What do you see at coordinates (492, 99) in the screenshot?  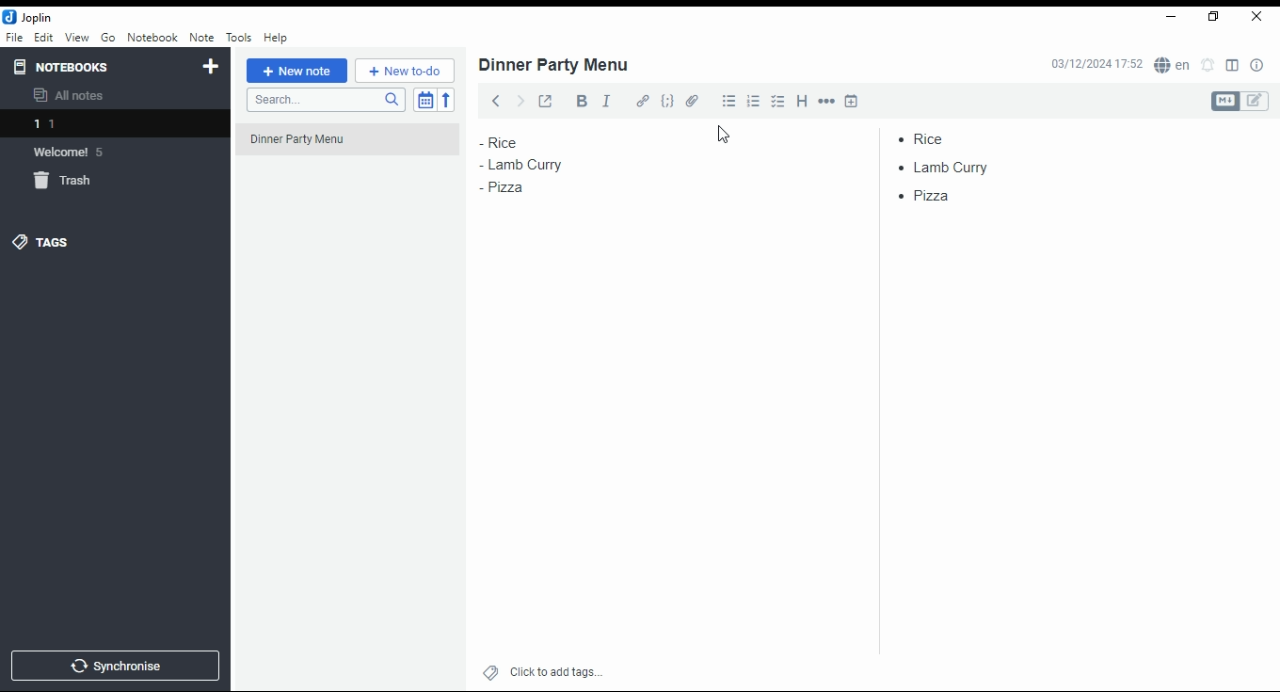 I see `back` at bounding box center [492, 99].